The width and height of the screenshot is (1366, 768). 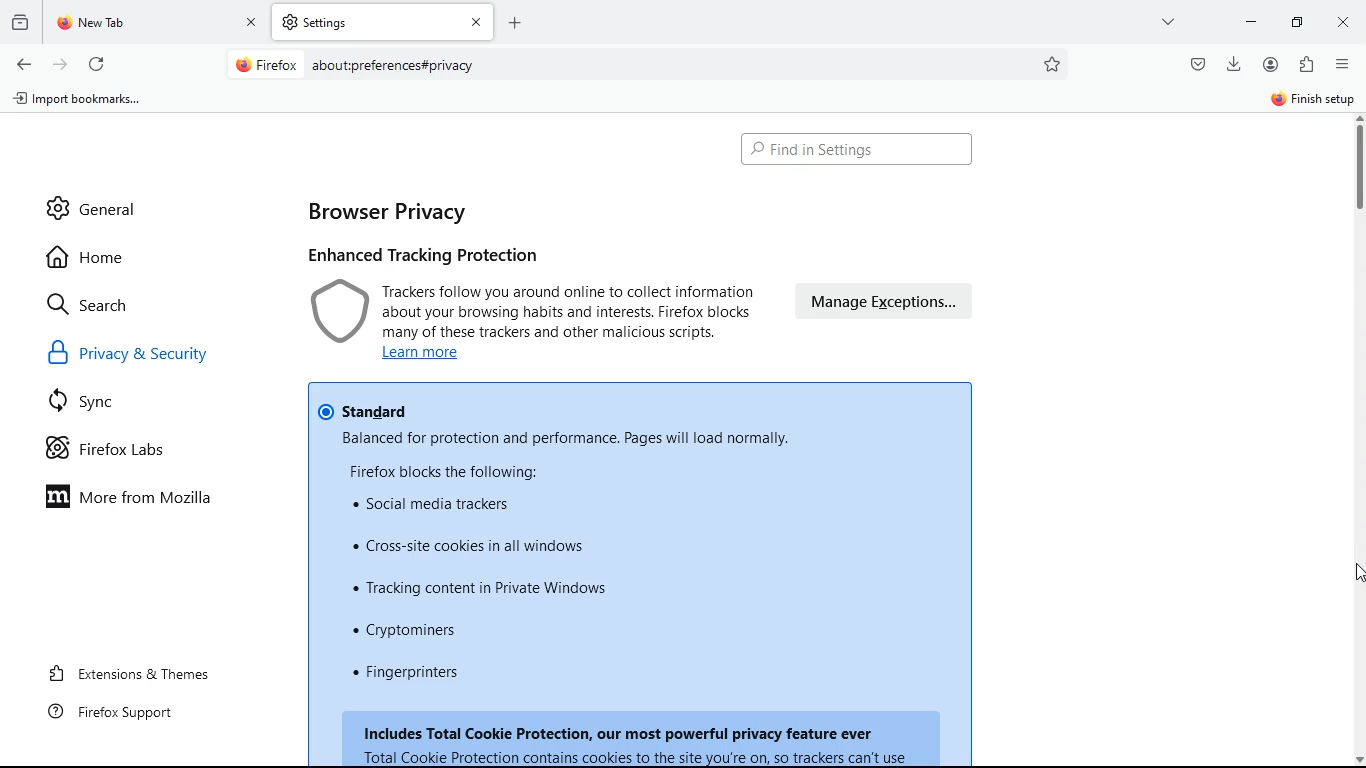 I want to click on pocket, so click(x=1196, y=63).